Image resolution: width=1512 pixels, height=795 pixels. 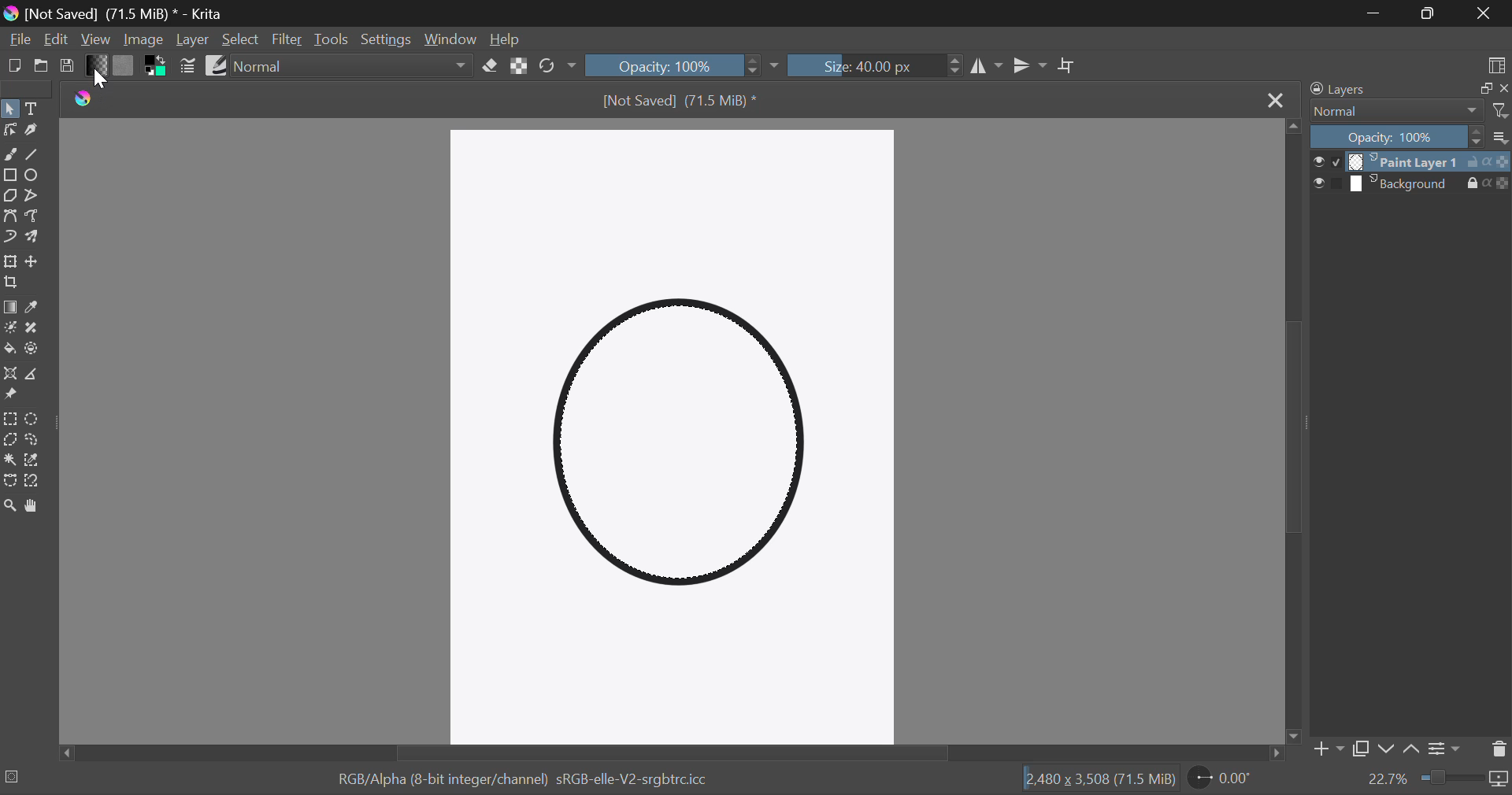 I want to click on Brush Settings, so click(x=188, y=67).